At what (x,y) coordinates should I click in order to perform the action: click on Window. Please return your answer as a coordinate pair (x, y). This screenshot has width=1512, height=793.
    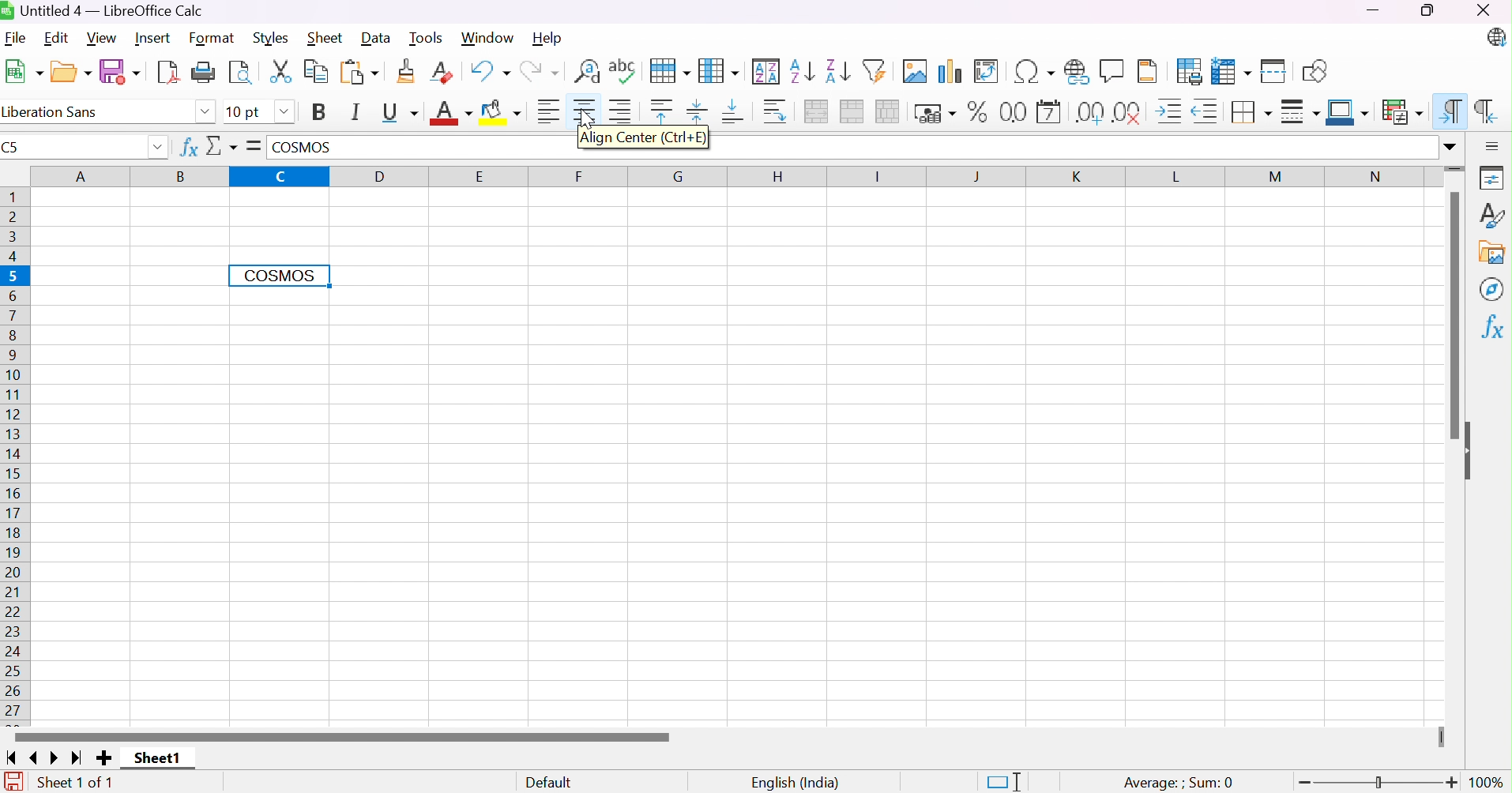
    Looking at the image, I should click on (488, 38).